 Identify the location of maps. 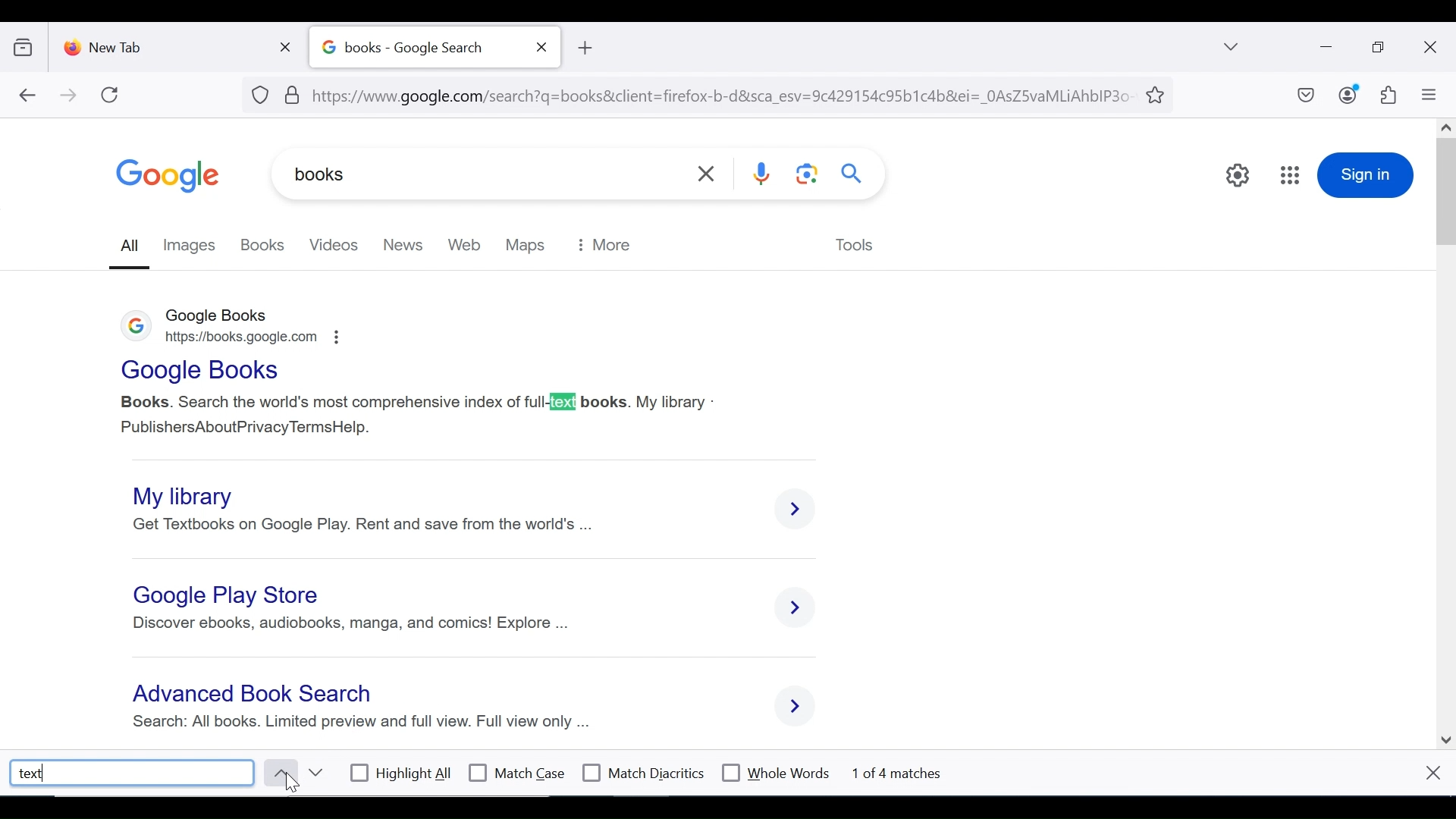
(527, 244).